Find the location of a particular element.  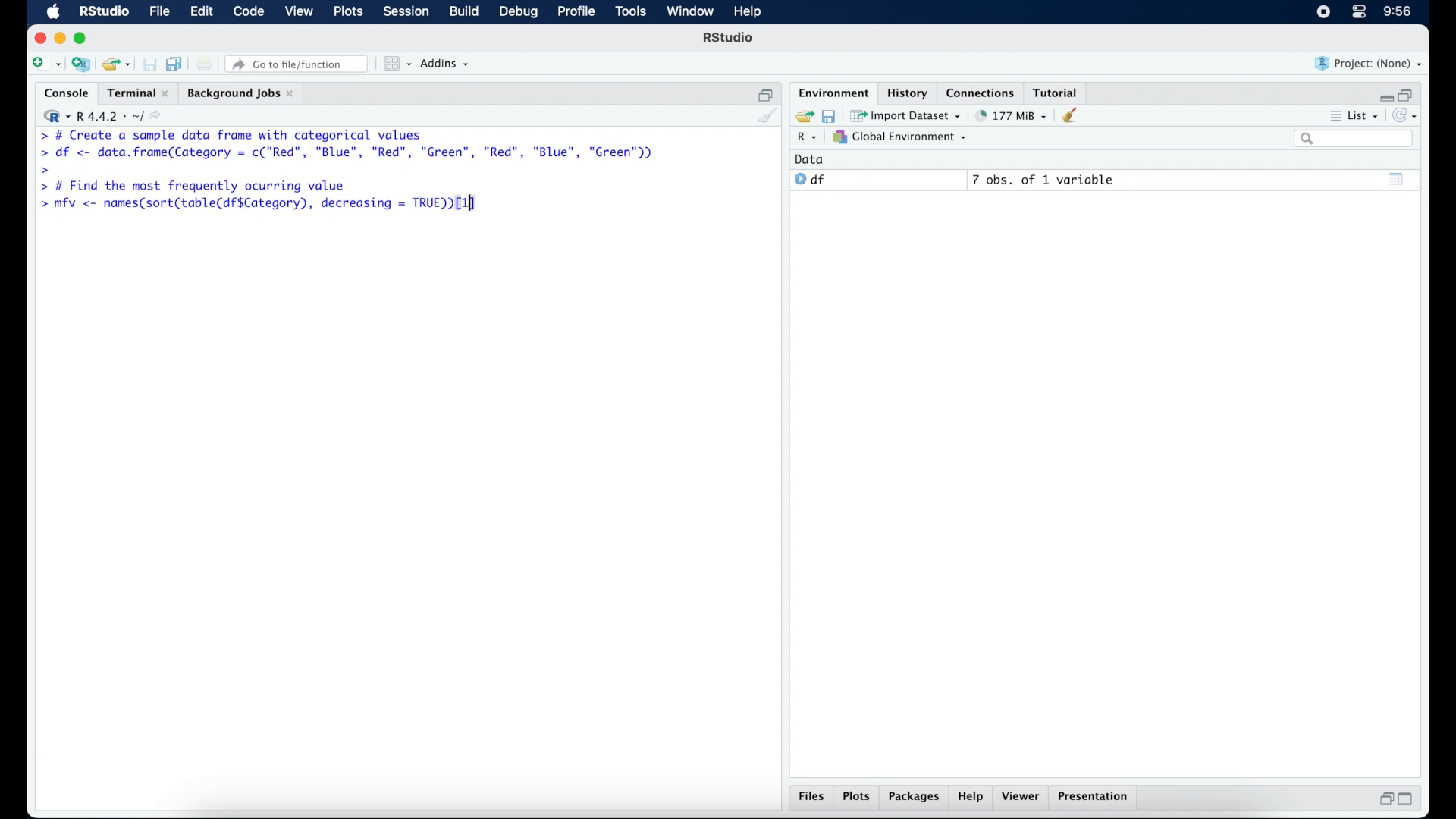

save is located at coordinates (828, 116).